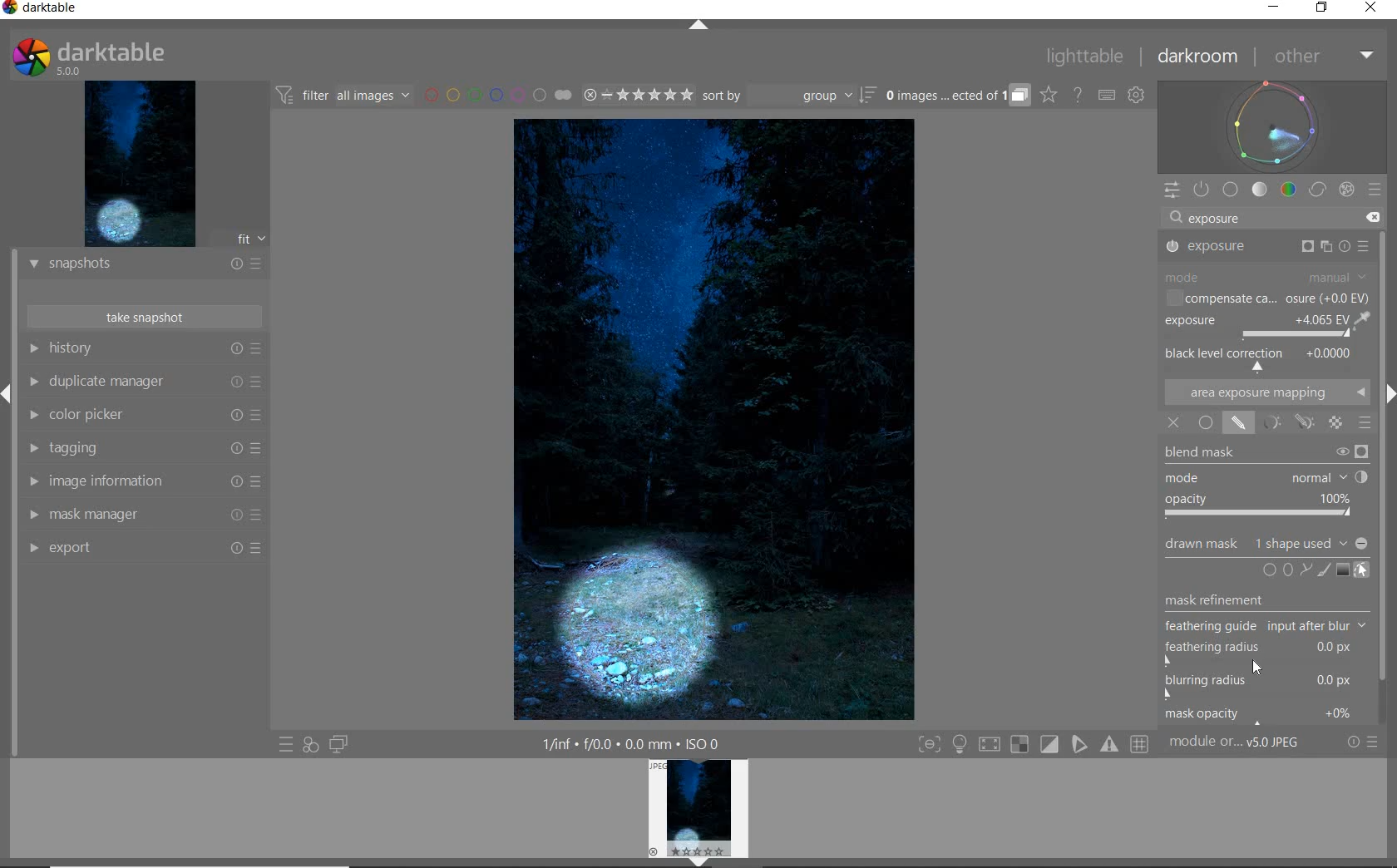  What do you see at coordinates (634, 629) in the screenshot?
I see `CIRCLE ADDED` at bounding box center [634, 629].